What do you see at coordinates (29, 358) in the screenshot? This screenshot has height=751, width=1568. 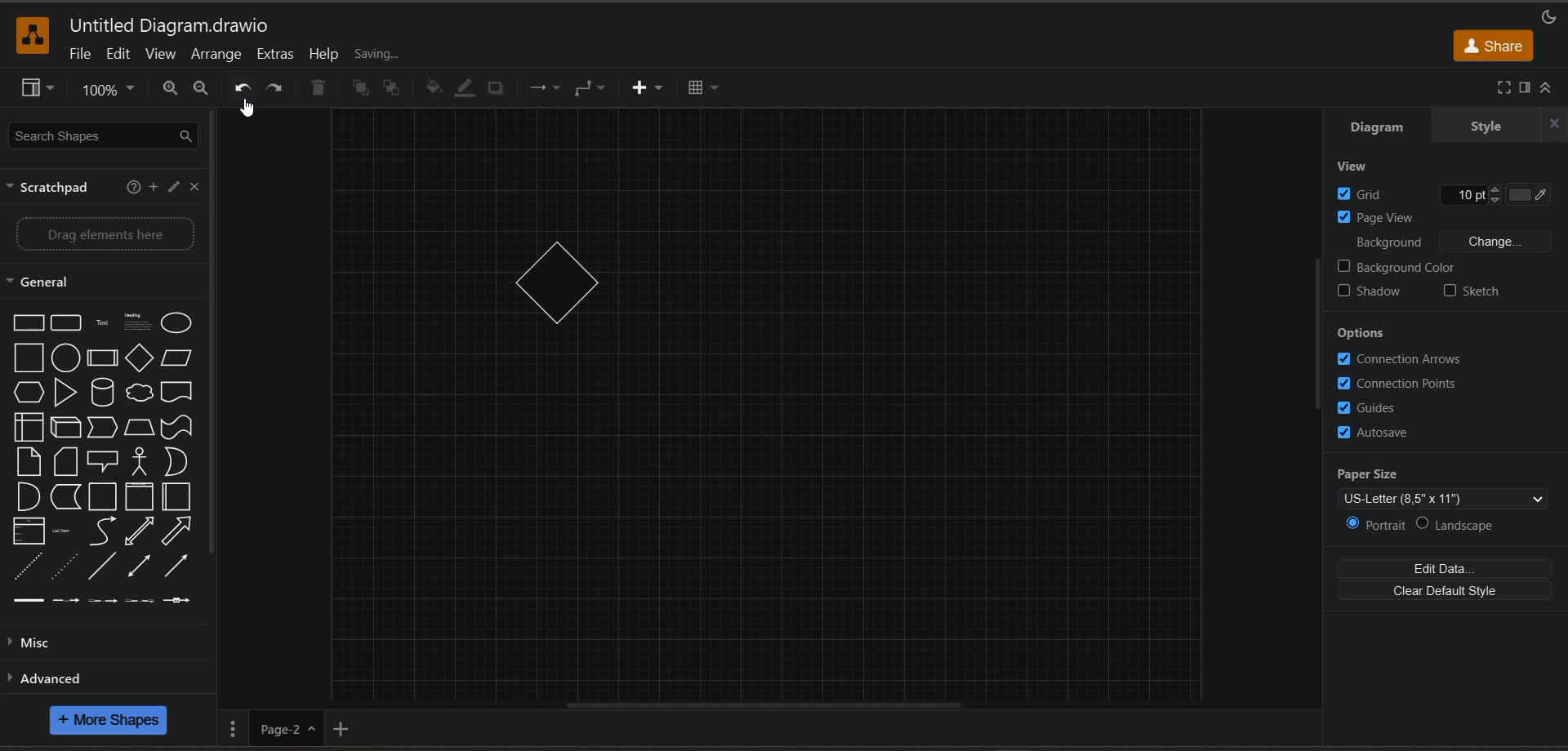 I see `Square` at bounding box center [29, 358].